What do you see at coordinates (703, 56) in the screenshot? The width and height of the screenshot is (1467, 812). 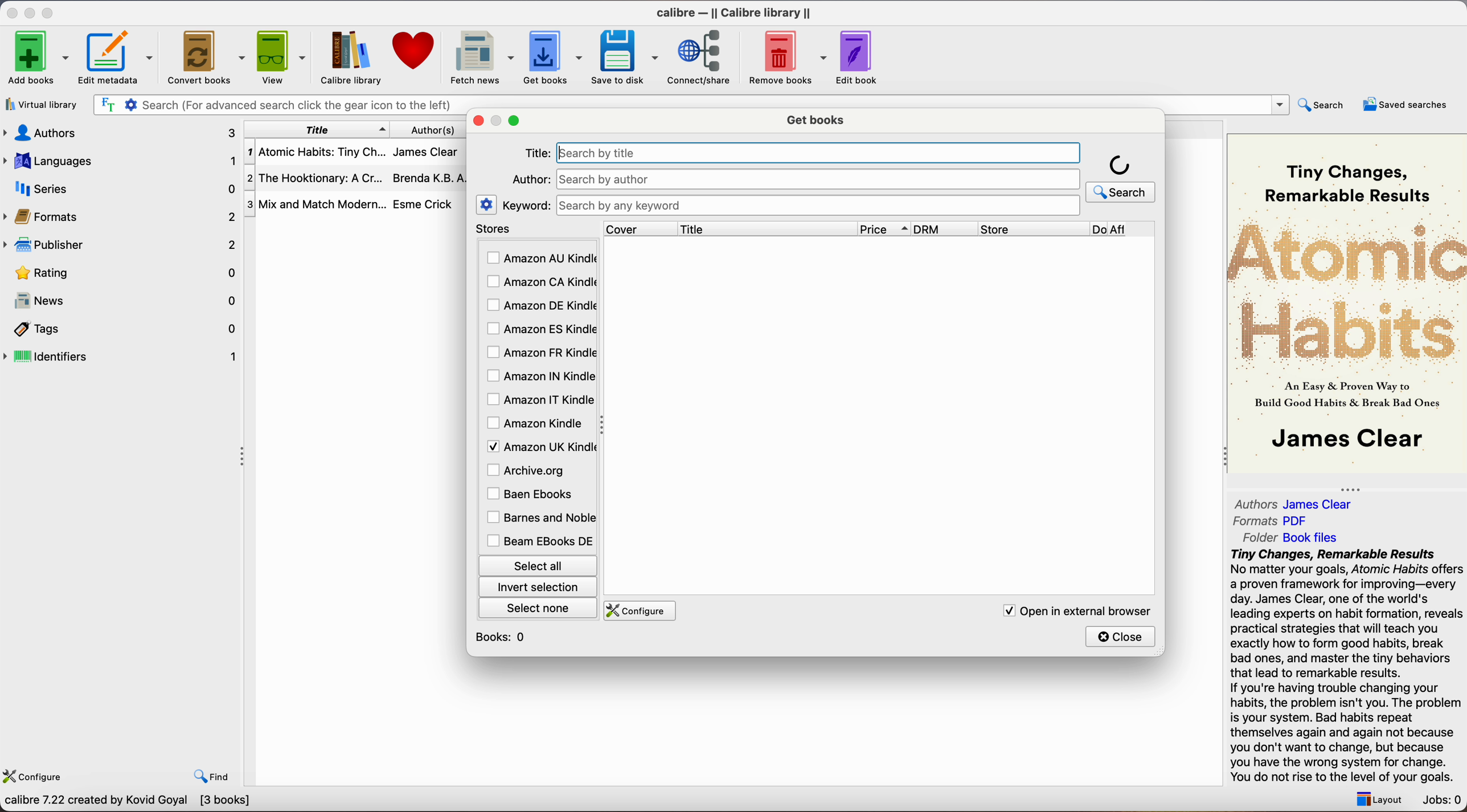 I see `connect/share` at bounding box center [703, 56].